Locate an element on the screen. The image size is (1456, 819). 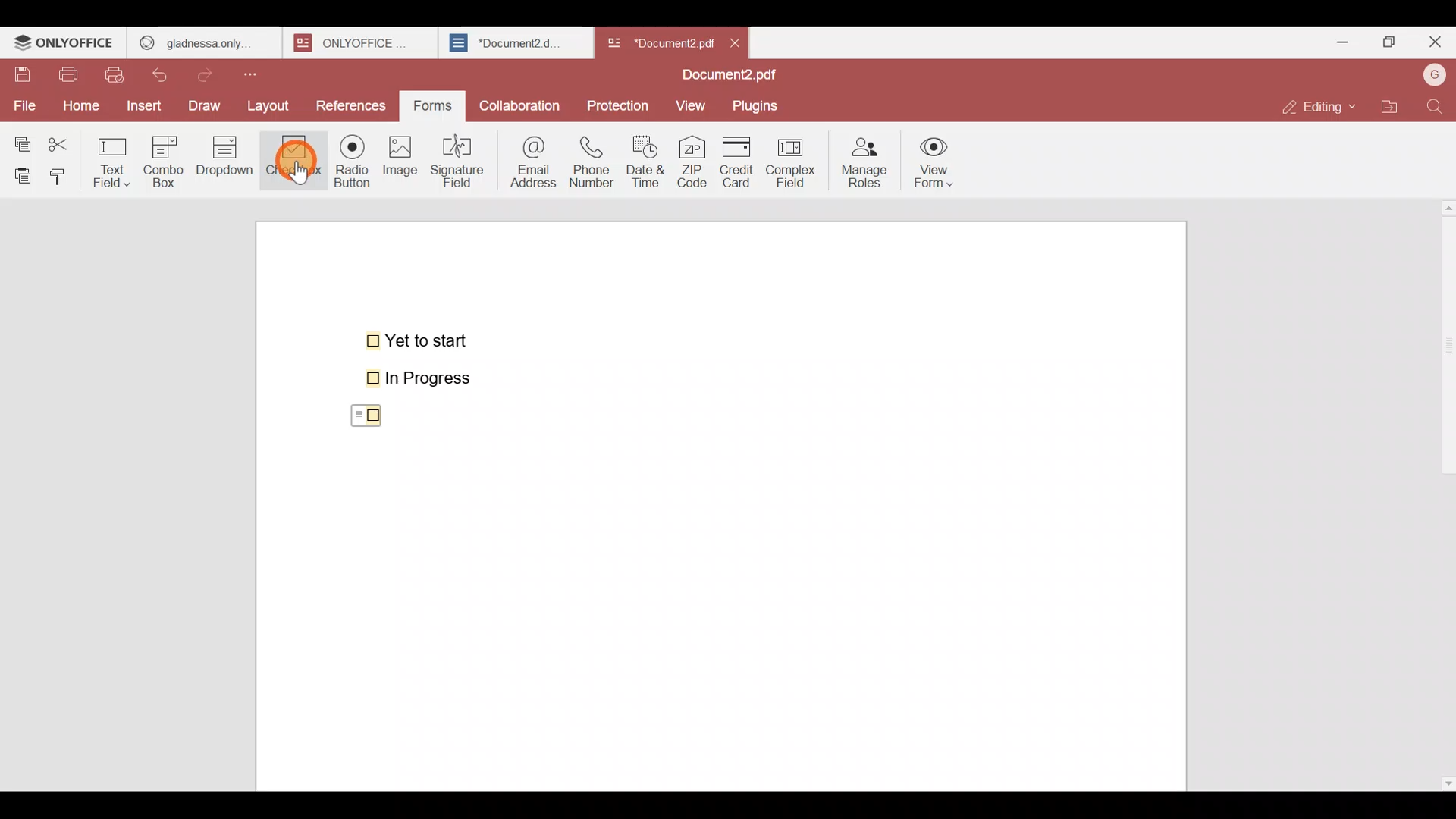
Editing mode is located at coordinates (1316, 107).